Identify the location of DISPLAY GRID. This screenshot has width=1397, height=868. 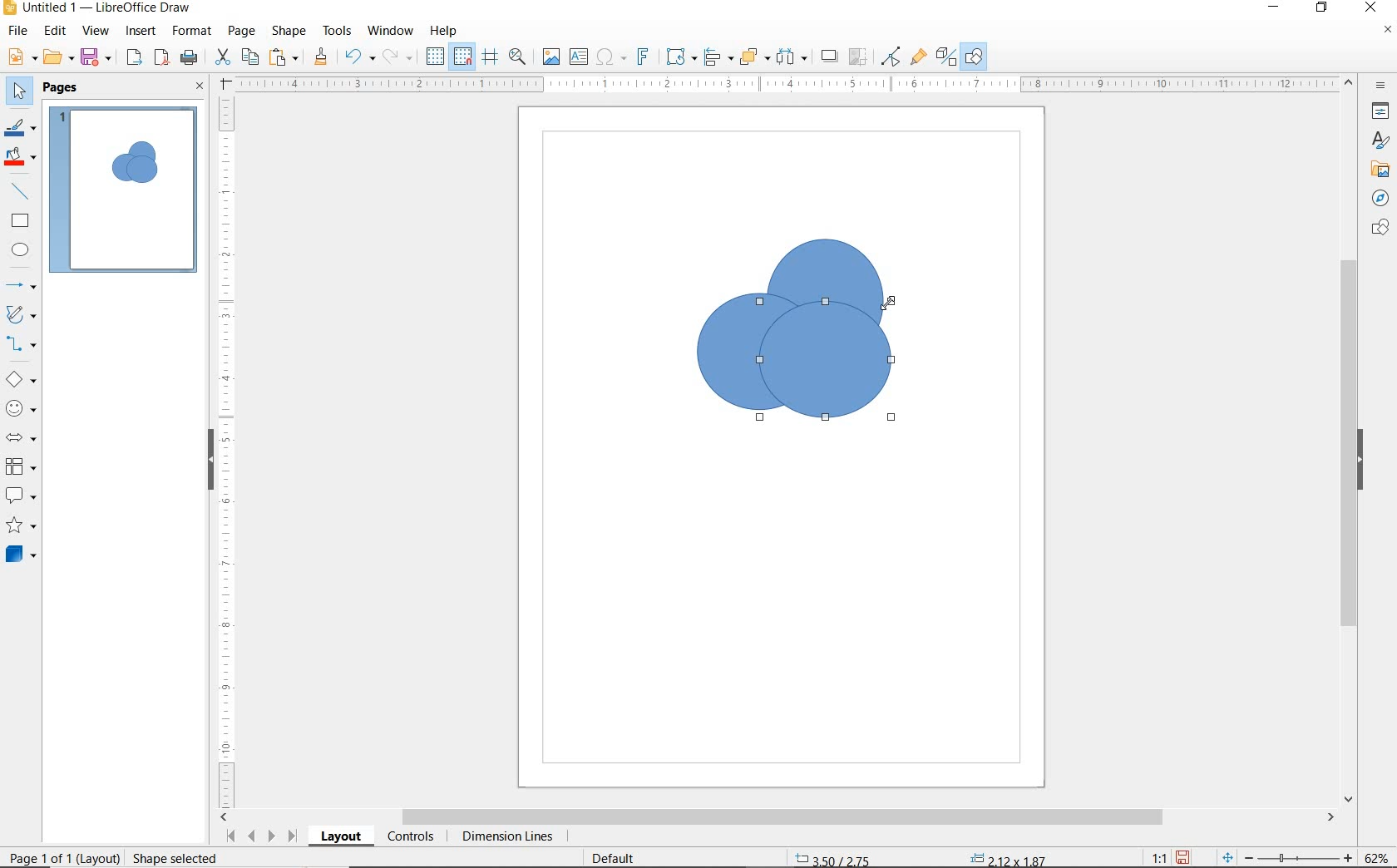
(437, 57).